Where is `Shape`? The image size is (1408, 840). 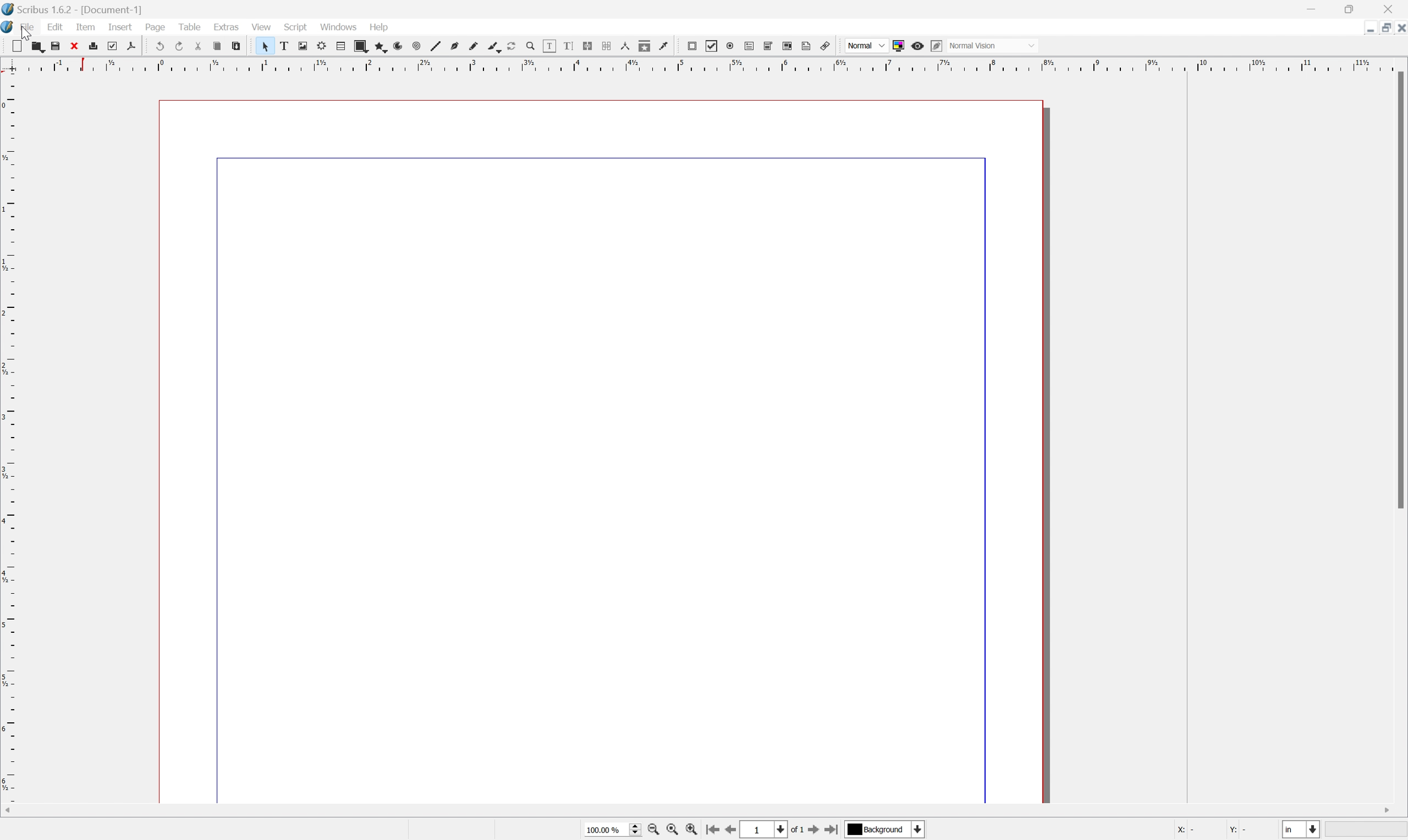
Shape is located at coordinates (357, 45).